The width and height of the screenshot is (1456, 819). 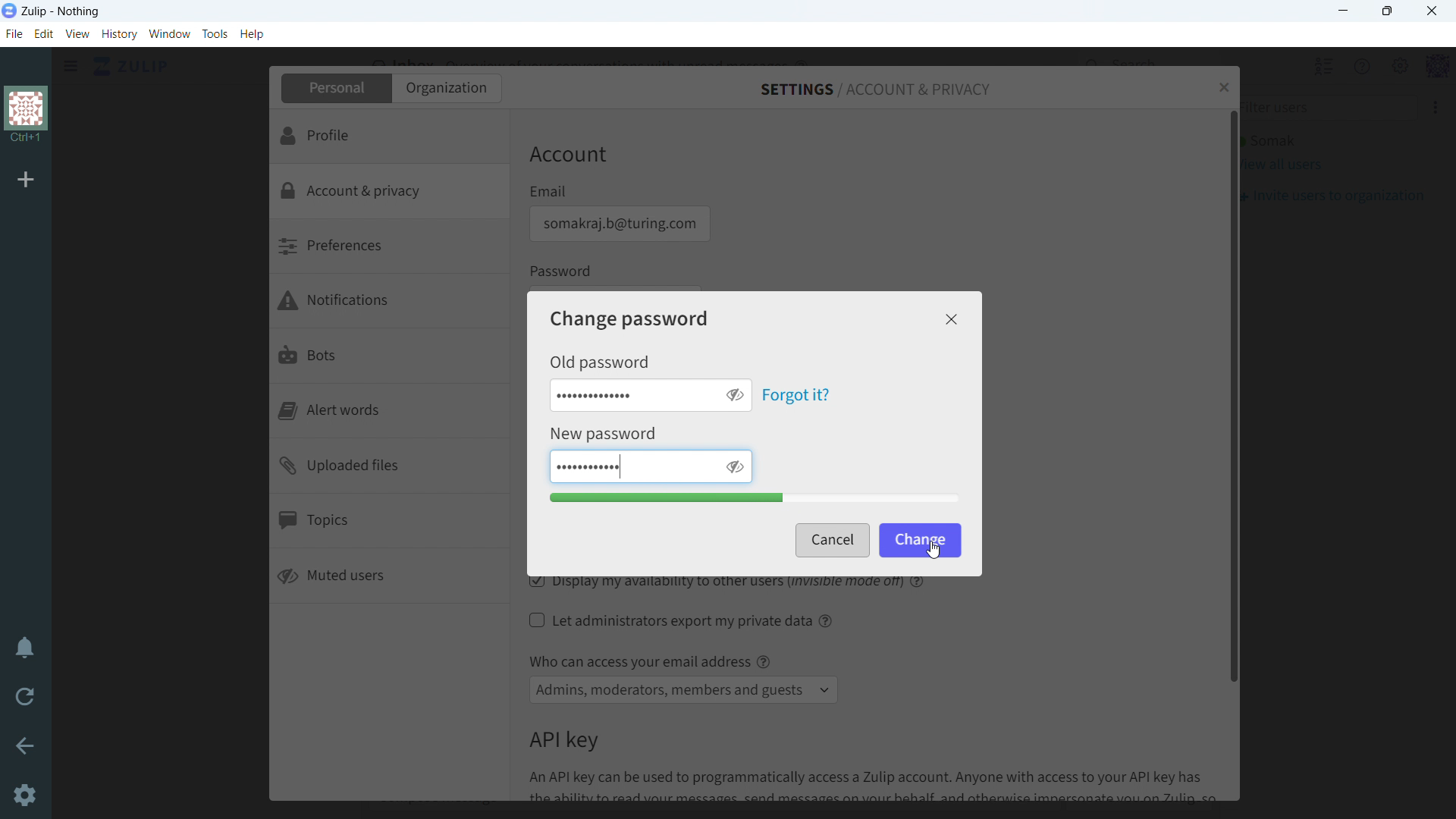 I want to click on cancel, so click(x=832, y=541).